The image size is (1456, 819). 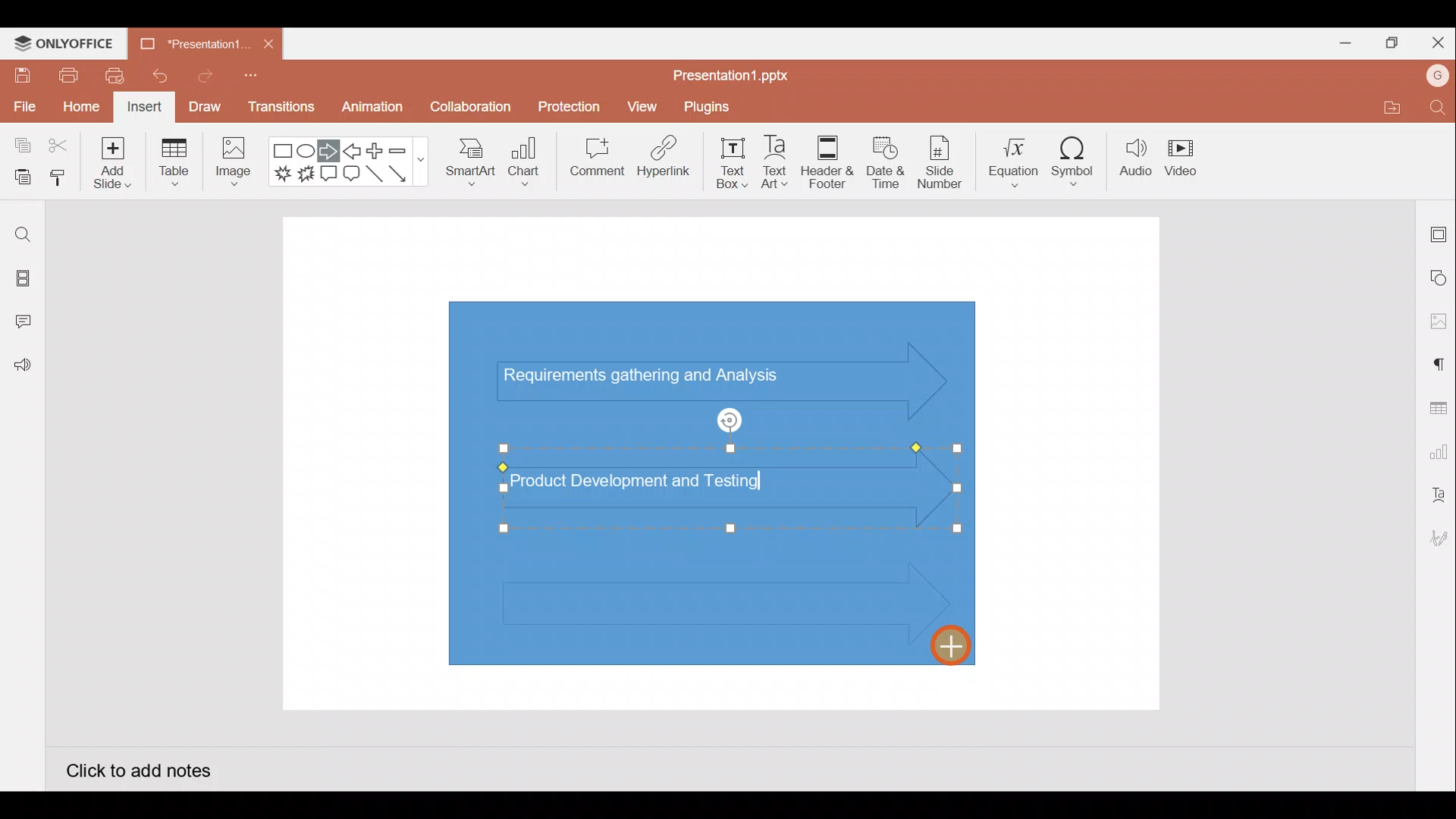 What do you see at coordinates (138, 769) in the screenshot?
I see `Click to add notes` at bounding box center [138, 769].